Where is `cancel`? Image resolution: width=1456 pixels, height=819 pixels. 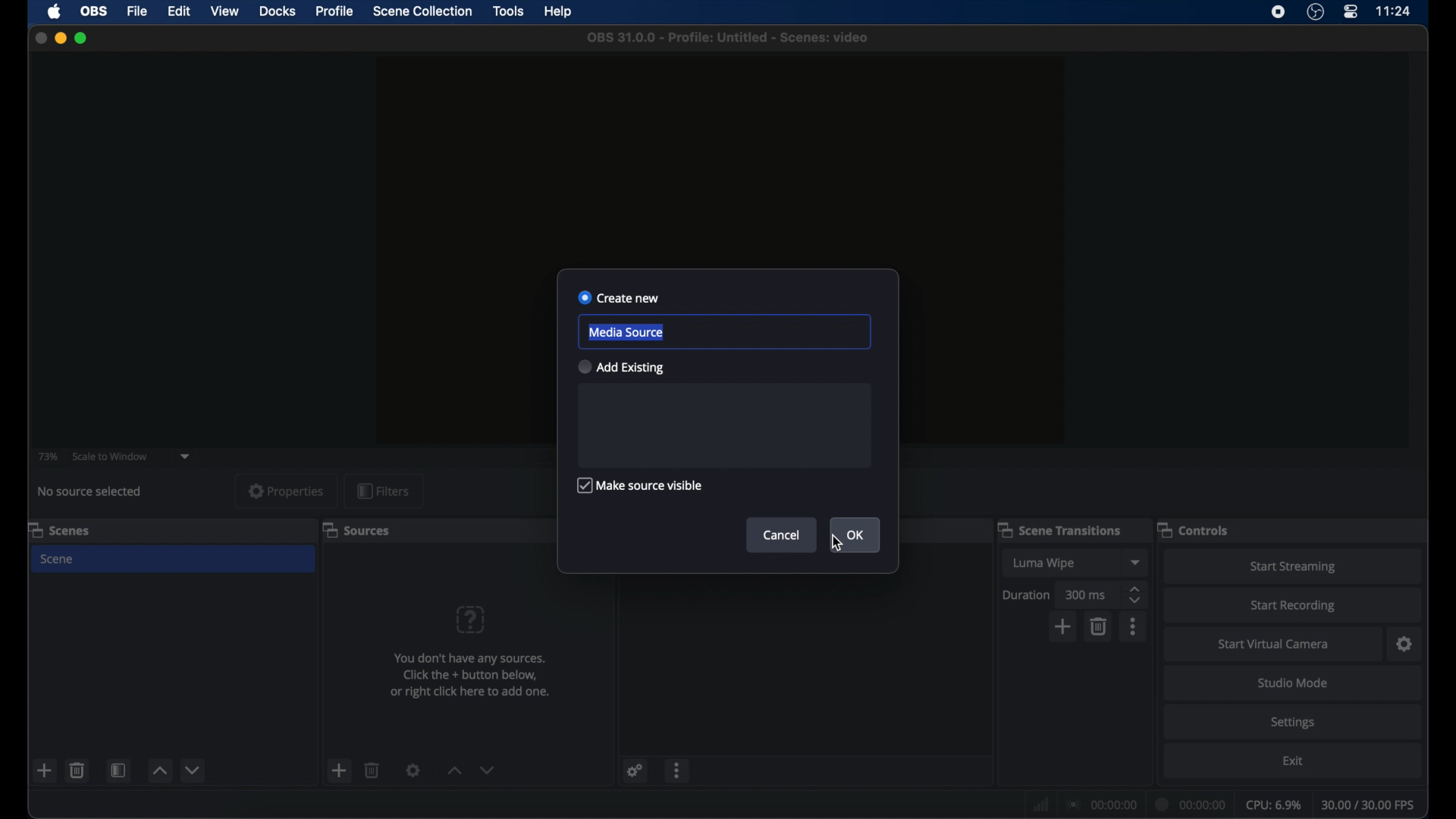 cancel is located at coordinates (782, 535).